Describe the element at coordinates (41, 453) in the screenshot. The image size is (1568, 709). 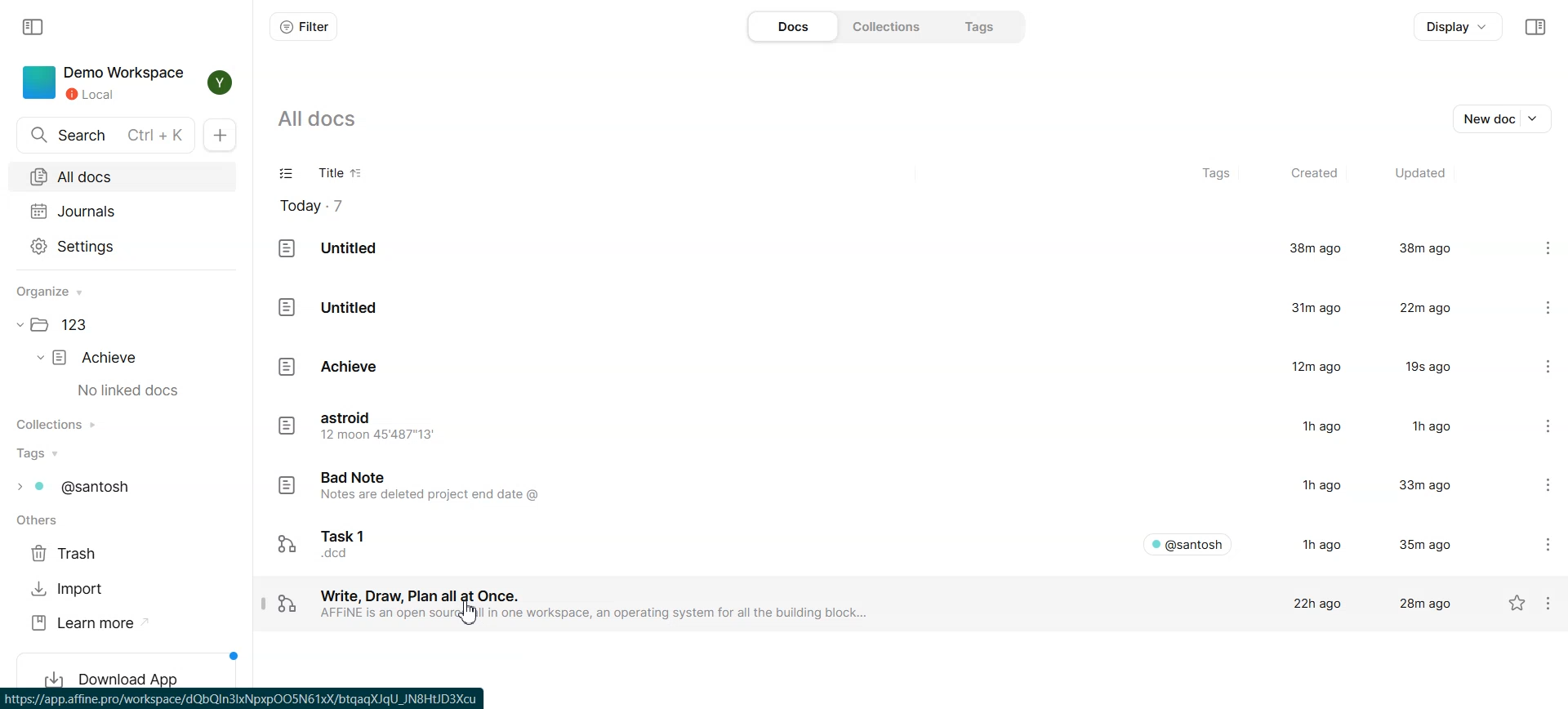
I see `Tags` at that location.